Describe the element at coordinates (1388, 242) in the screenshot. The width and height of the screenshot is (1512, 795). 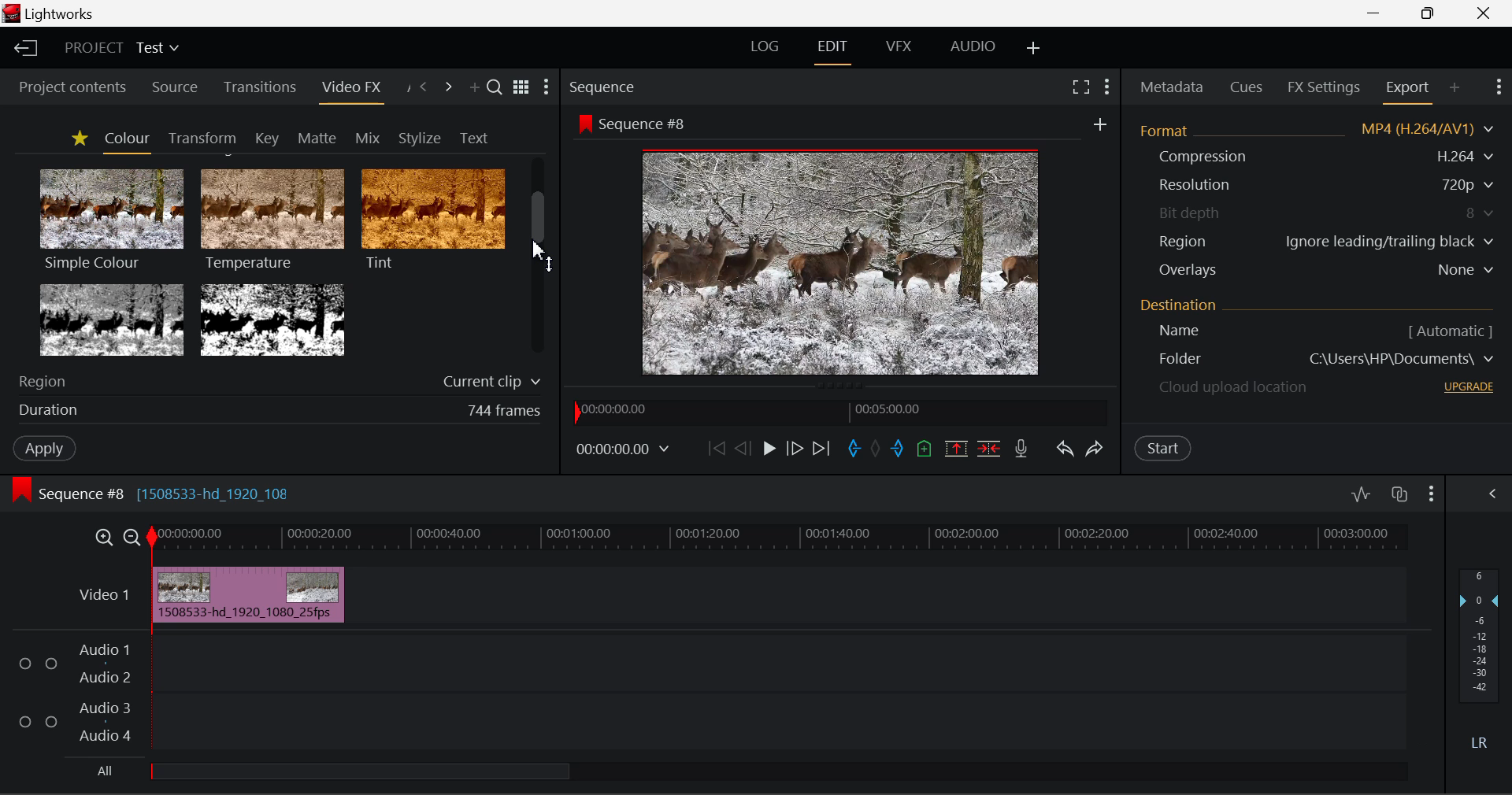
I see `Ignore leading/trailing black ` at that location.